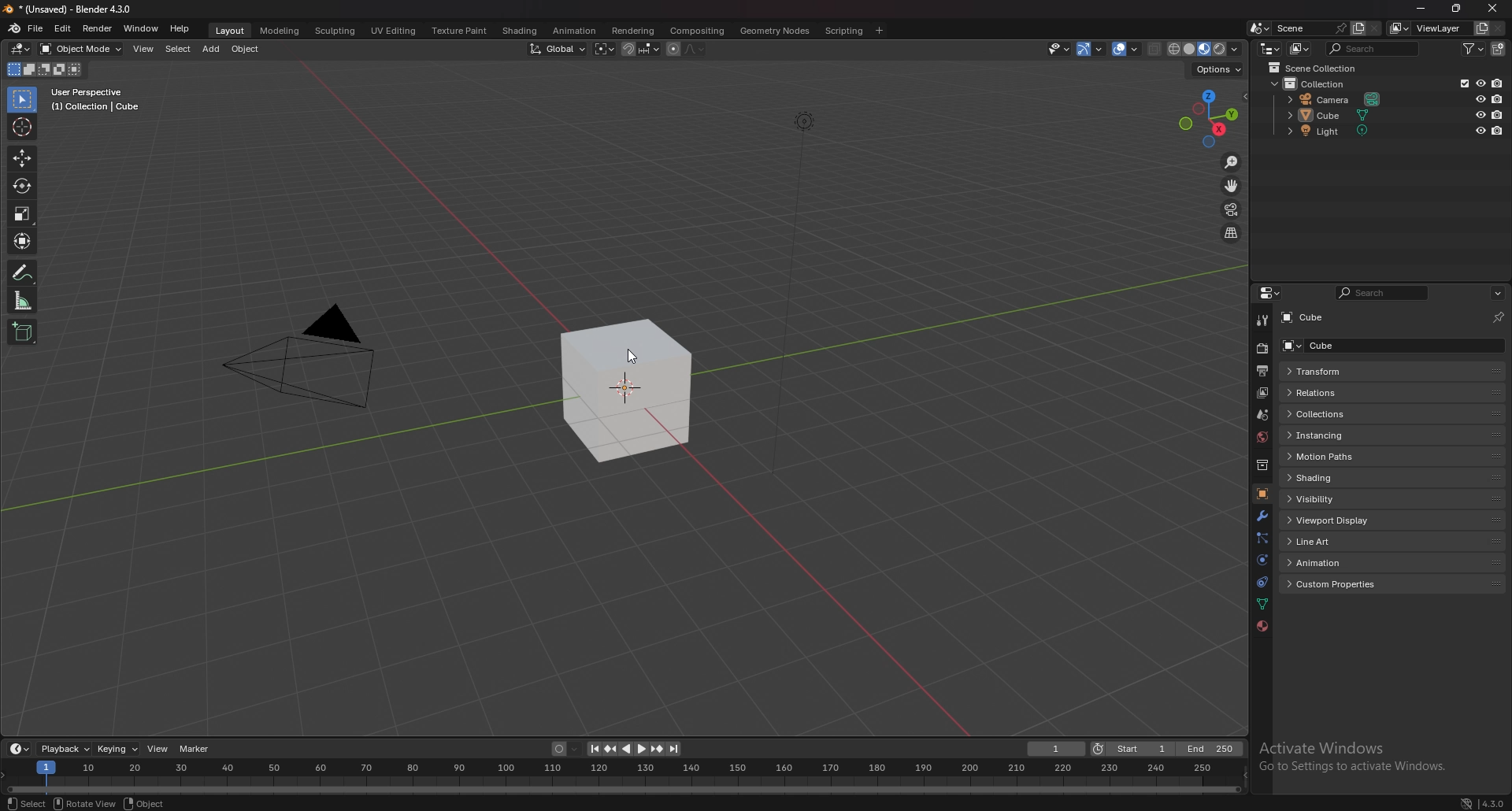 The image size is (1512, 811). I want to click on visibility, so click(1336, 498).